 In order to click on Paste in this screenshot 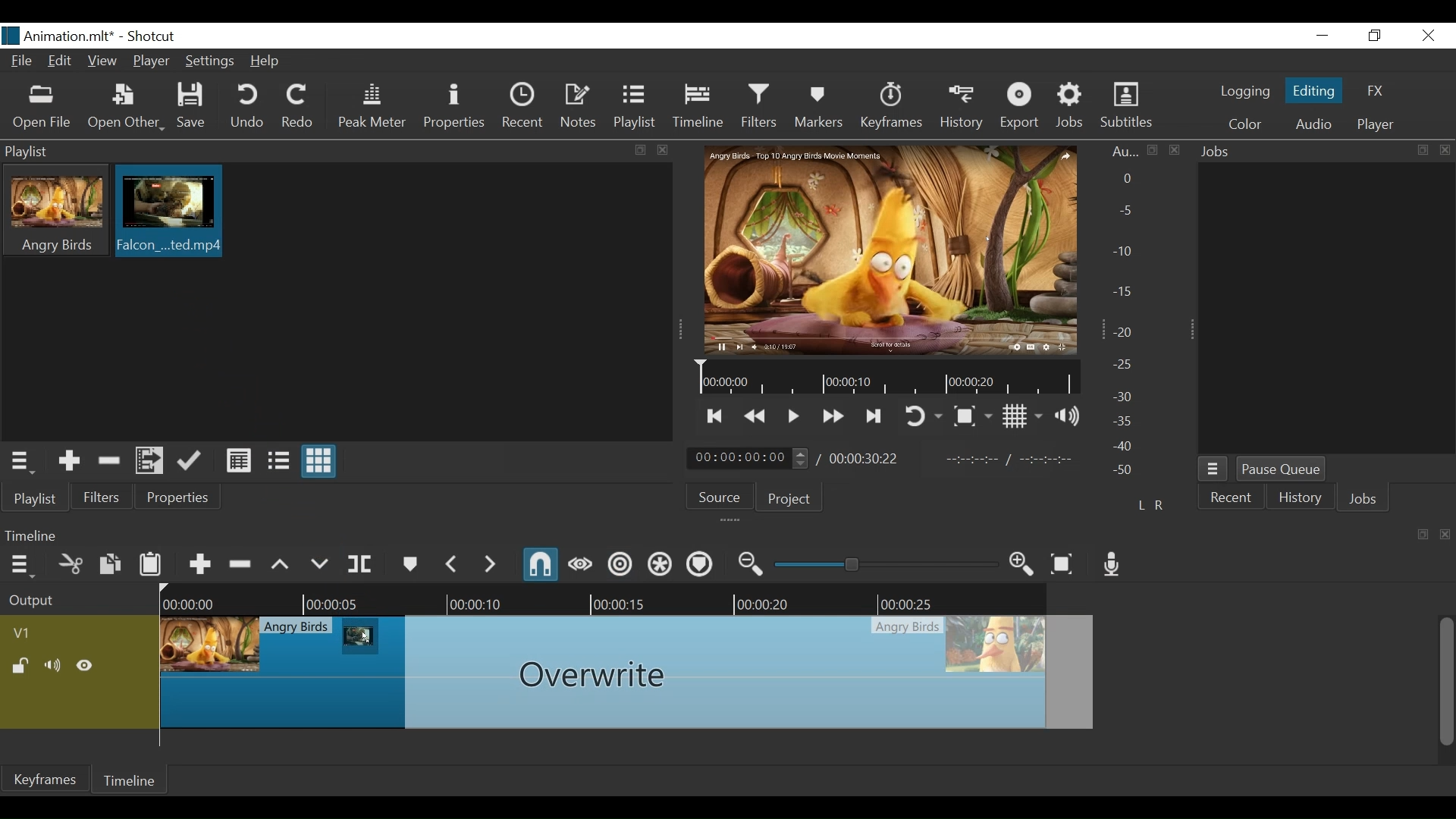, I will do `click(151, 562)`.